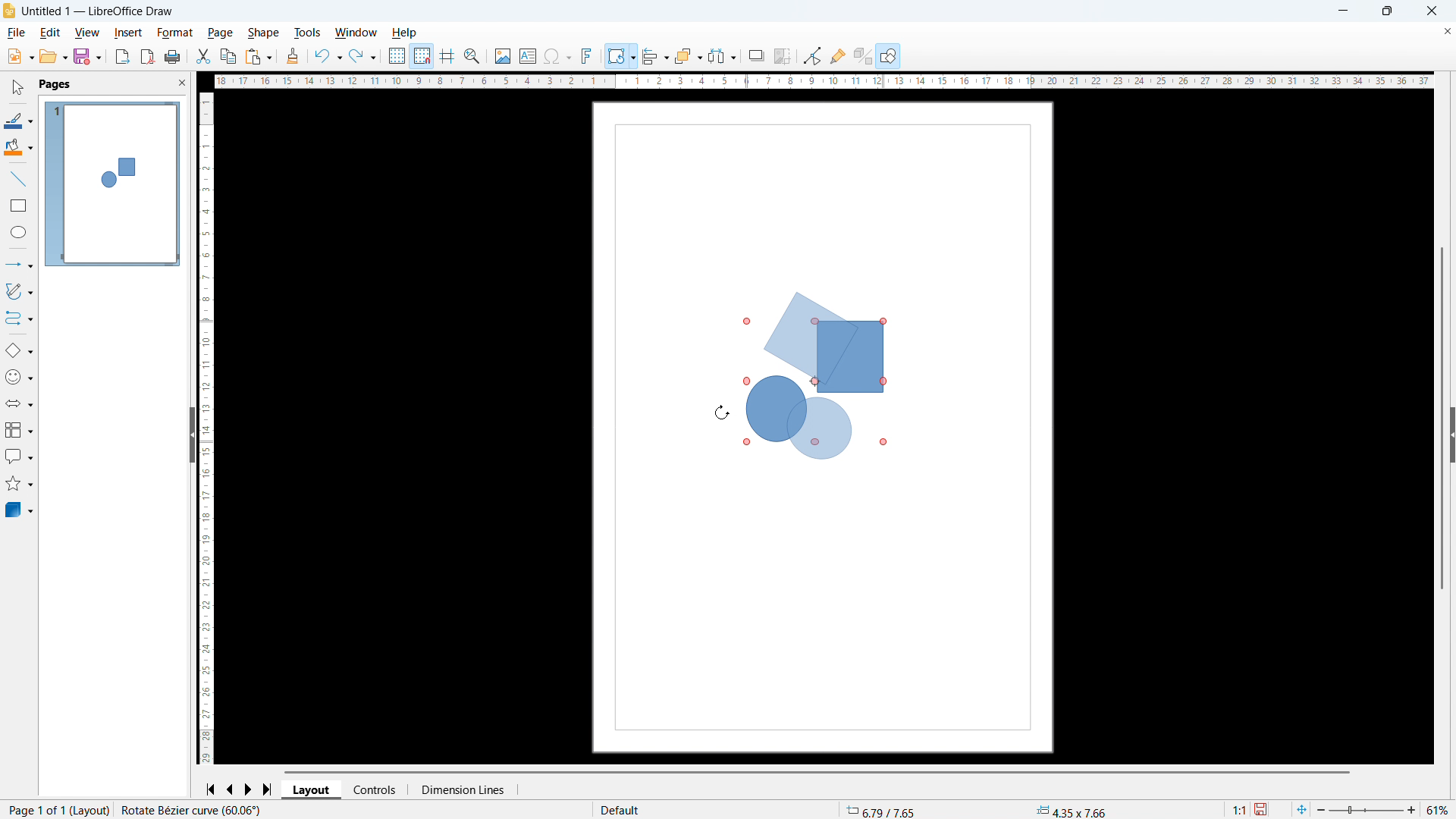 This screenshot has height=819, width=1456. I want to click on Line colour , so click(19, 121).